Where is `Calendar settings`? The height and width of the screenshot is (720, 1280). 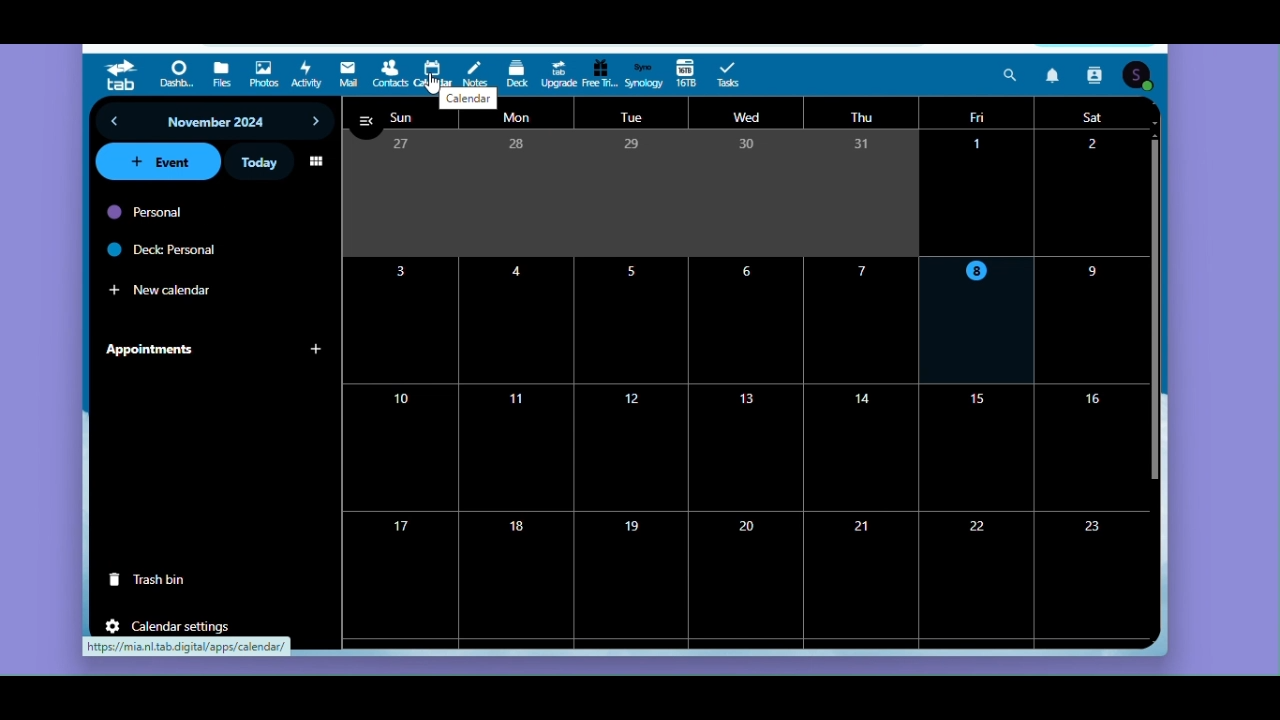
Calendar settings is located at coordinates (170, 625).